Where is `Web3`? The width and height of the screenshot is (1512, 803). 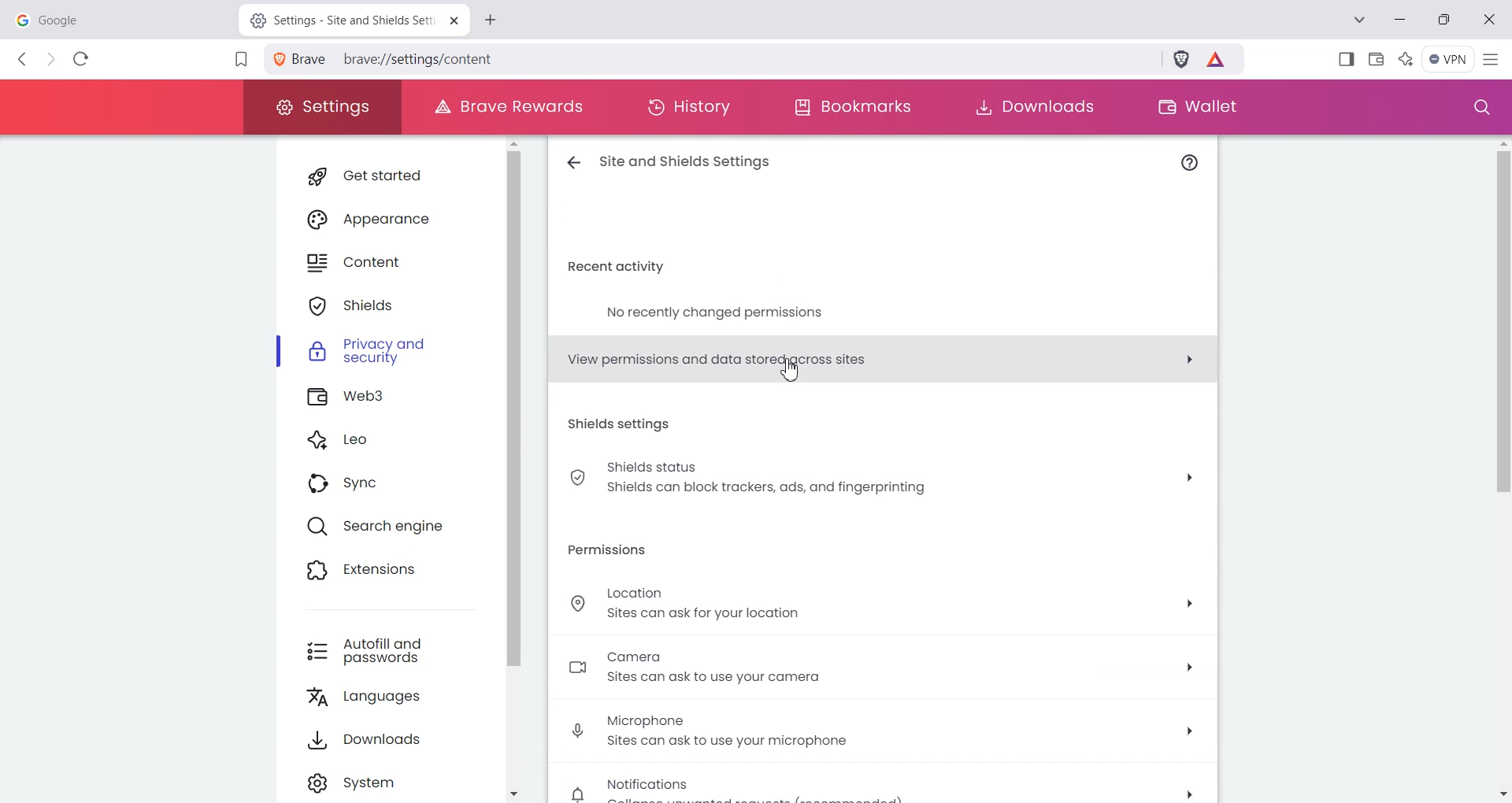
Web3 is located at coordinates (391, 398).